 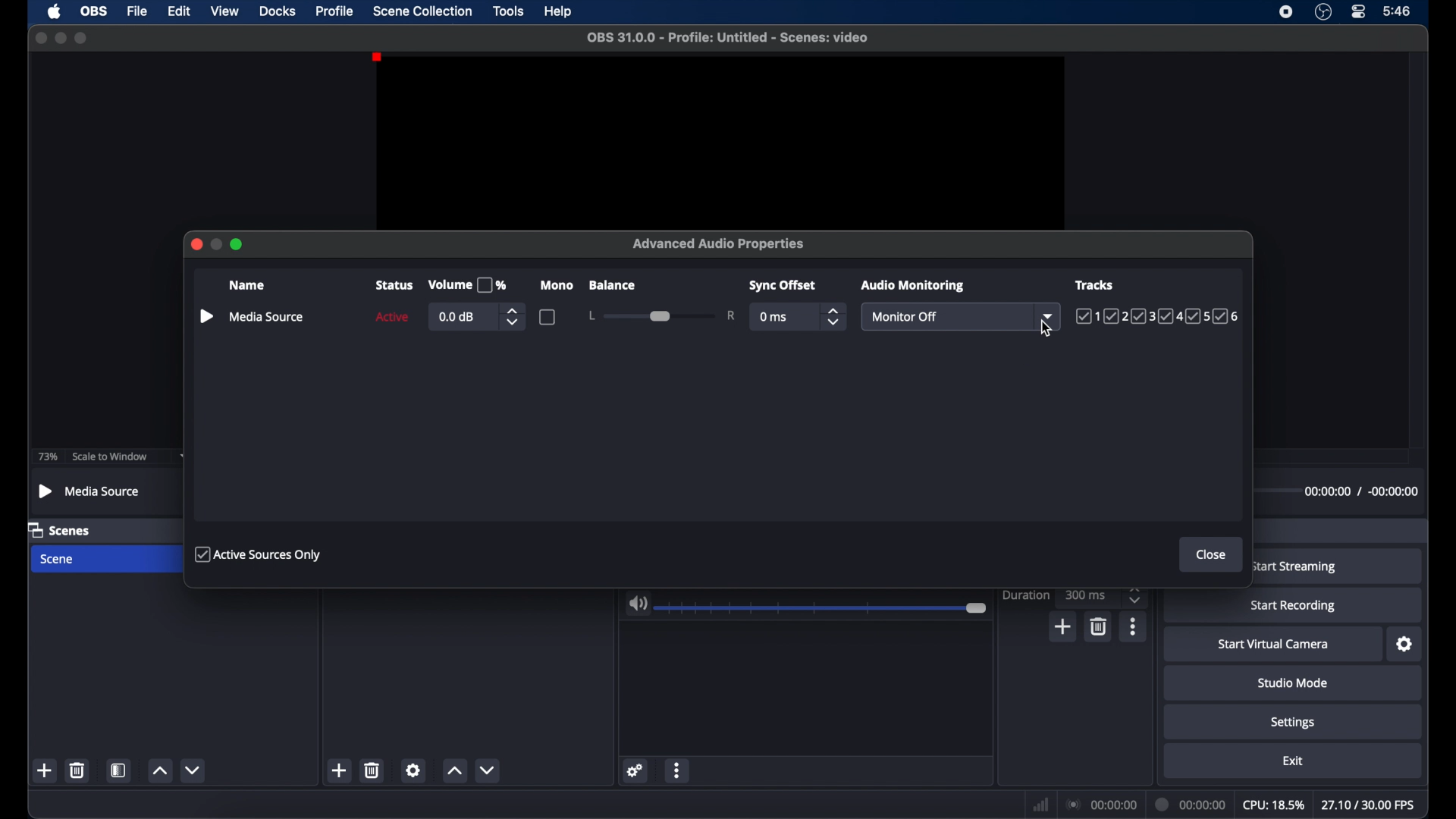 What do you see at coordinates (1188, 804) in the screenshot?
I see `duration` at bounding box center [1188, 804].